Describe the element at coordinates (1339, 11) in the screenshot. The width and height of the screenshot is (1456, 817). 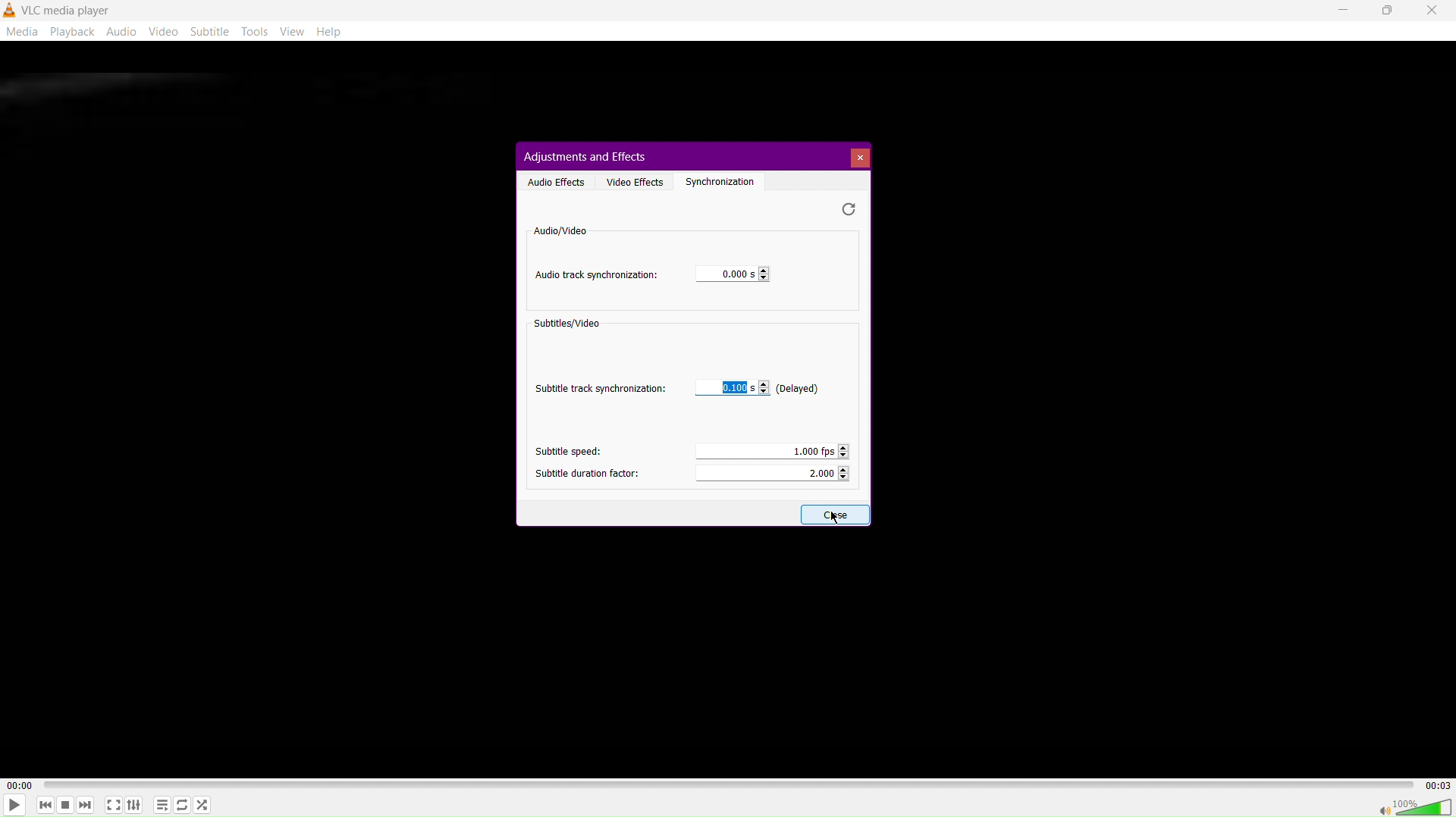
I see `Minimize` at that location.